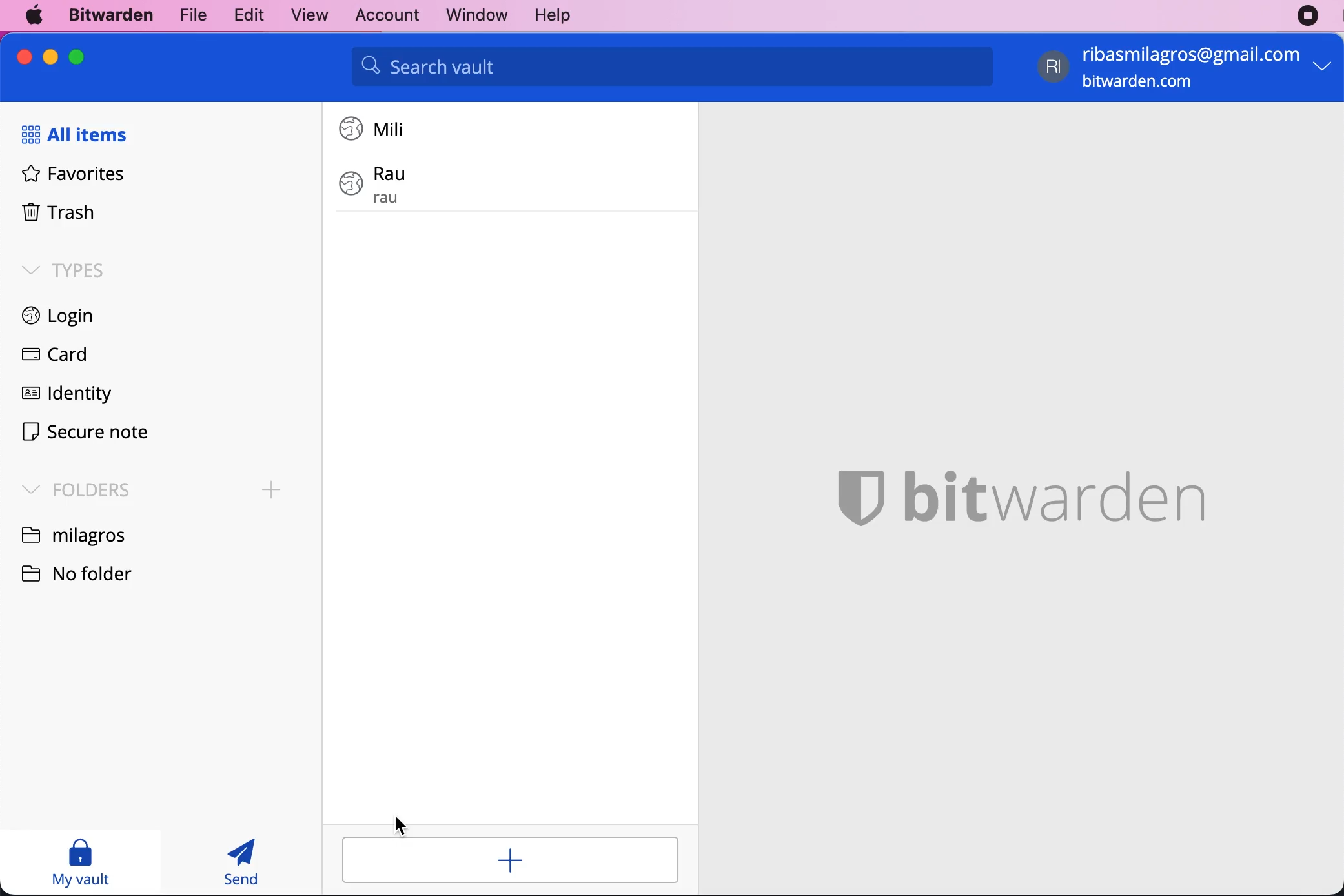  I want to click on view, so click(303, 15).